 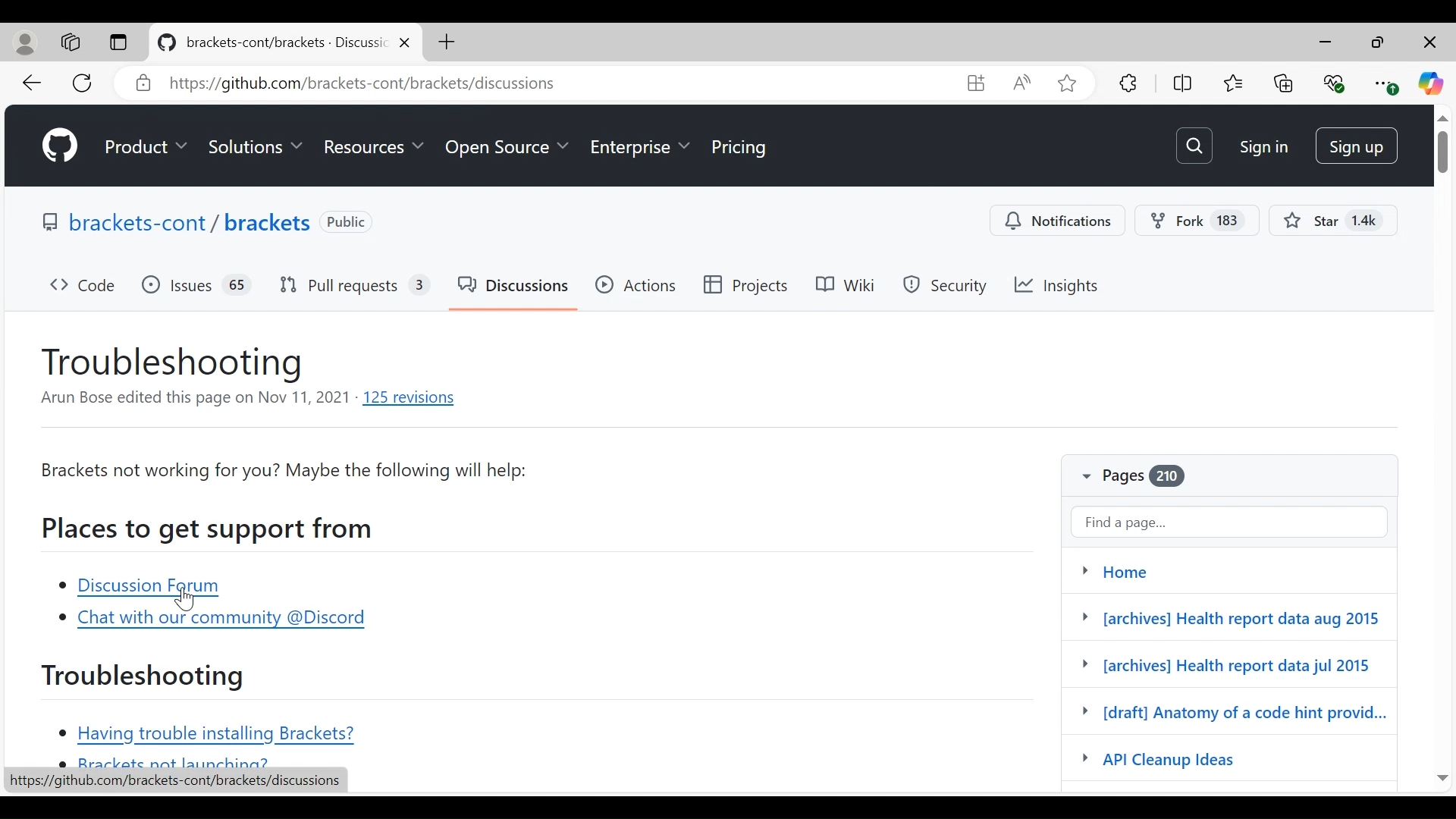 What do you see at coordinates (1225, 665) in the screenshot?
I see `Health Report data jul 2015` at bounding box center [1225, 665].